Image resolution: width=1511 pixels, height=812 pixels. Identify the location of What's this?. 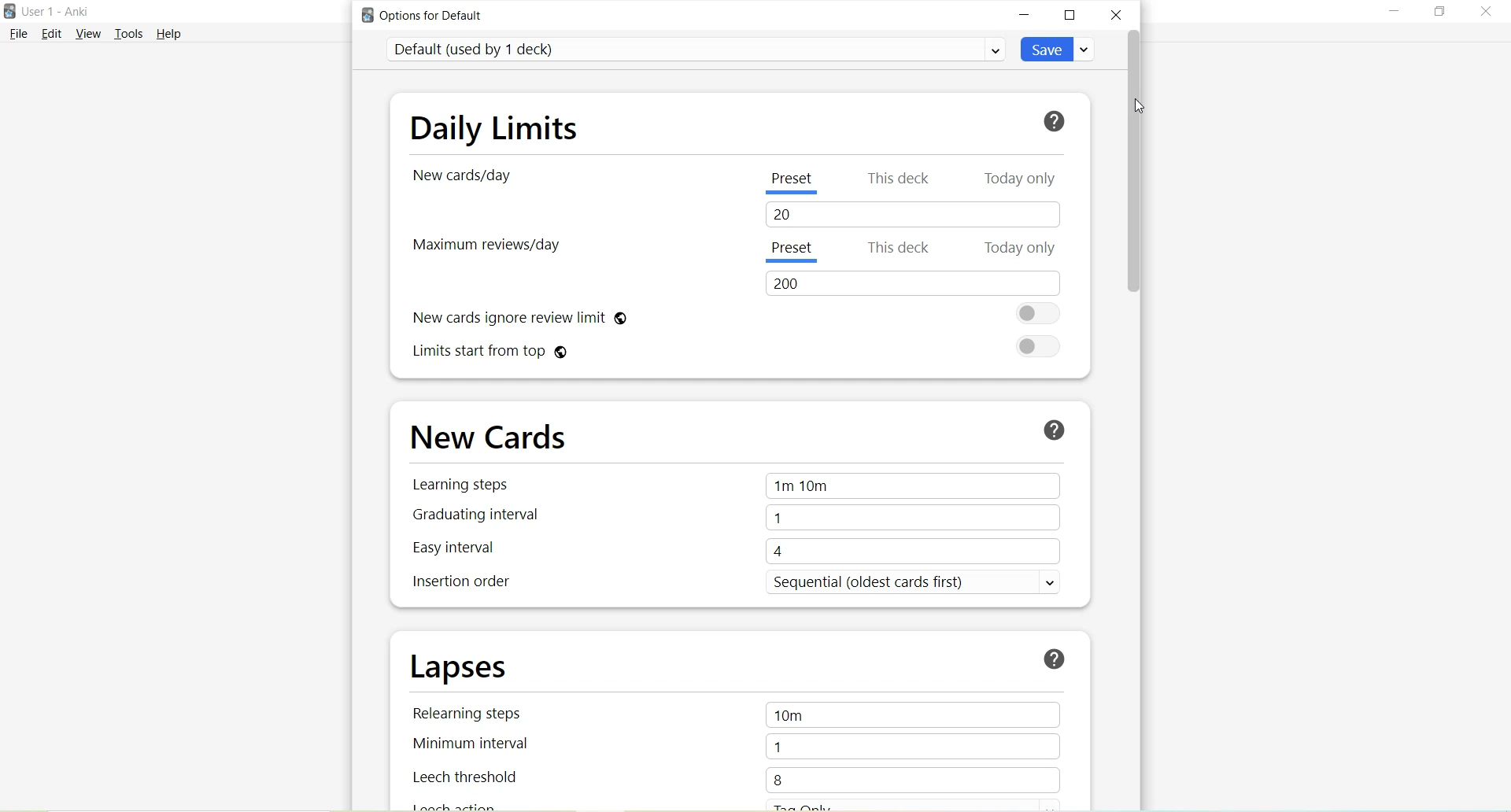
(1052, 657).